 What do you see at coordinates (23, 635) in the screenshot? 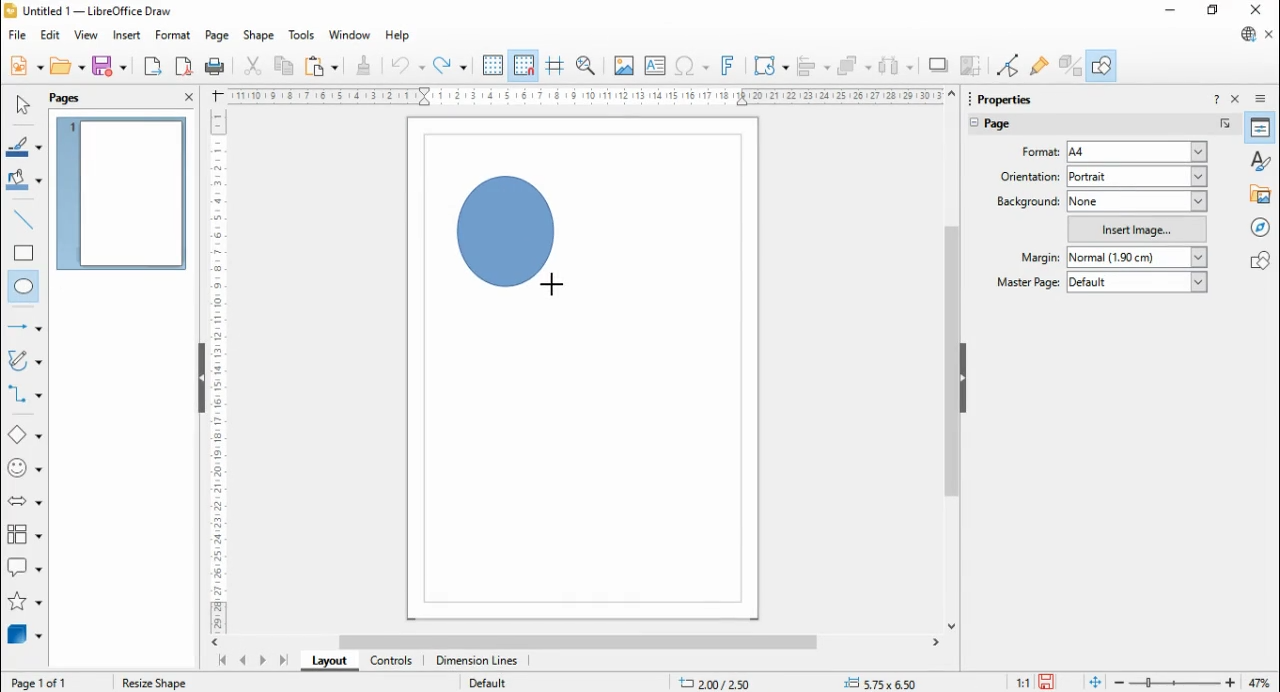
I see `3D Objects` at bounding box center [23, 635].